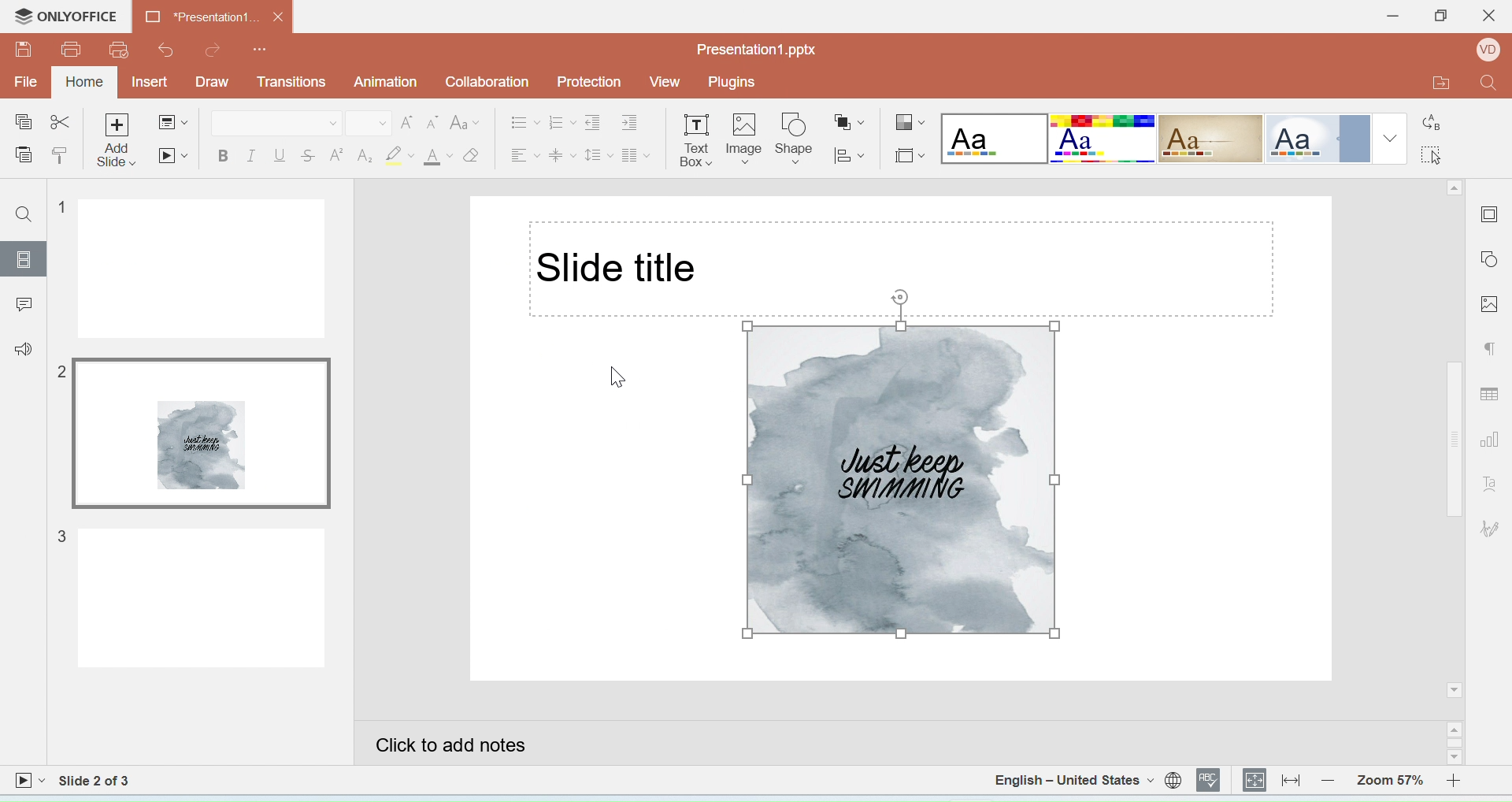 The width and height of the screenshot is (1512, 802). Describe the element at coordinates (291, 82) in the screenshot. I see `Transitions` at that location.